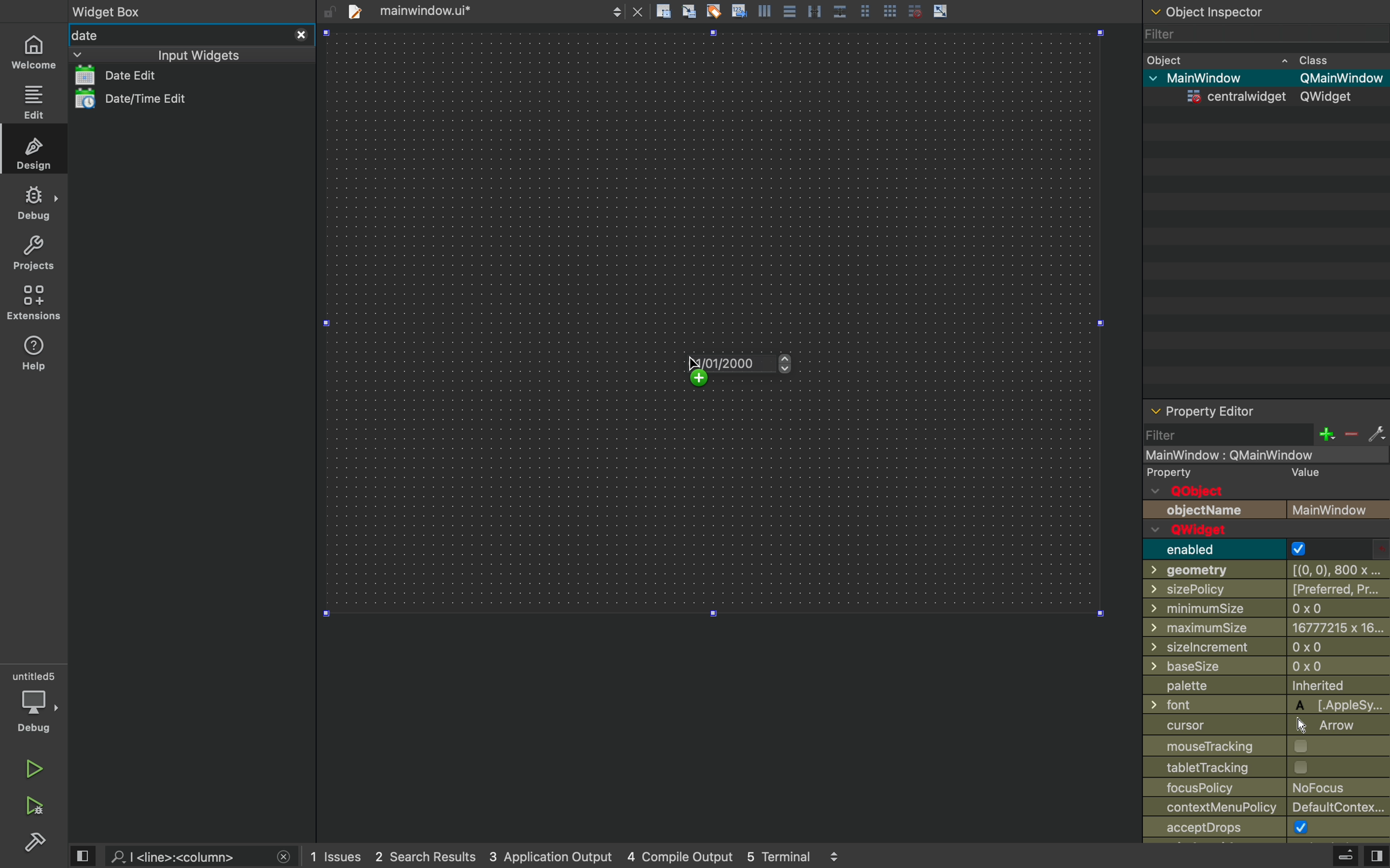 The height and width of the screenshot is (868, 1390). Describe the element at coordinates (1267, 649) in the screenshot. I see `sizeincrement` at that location.